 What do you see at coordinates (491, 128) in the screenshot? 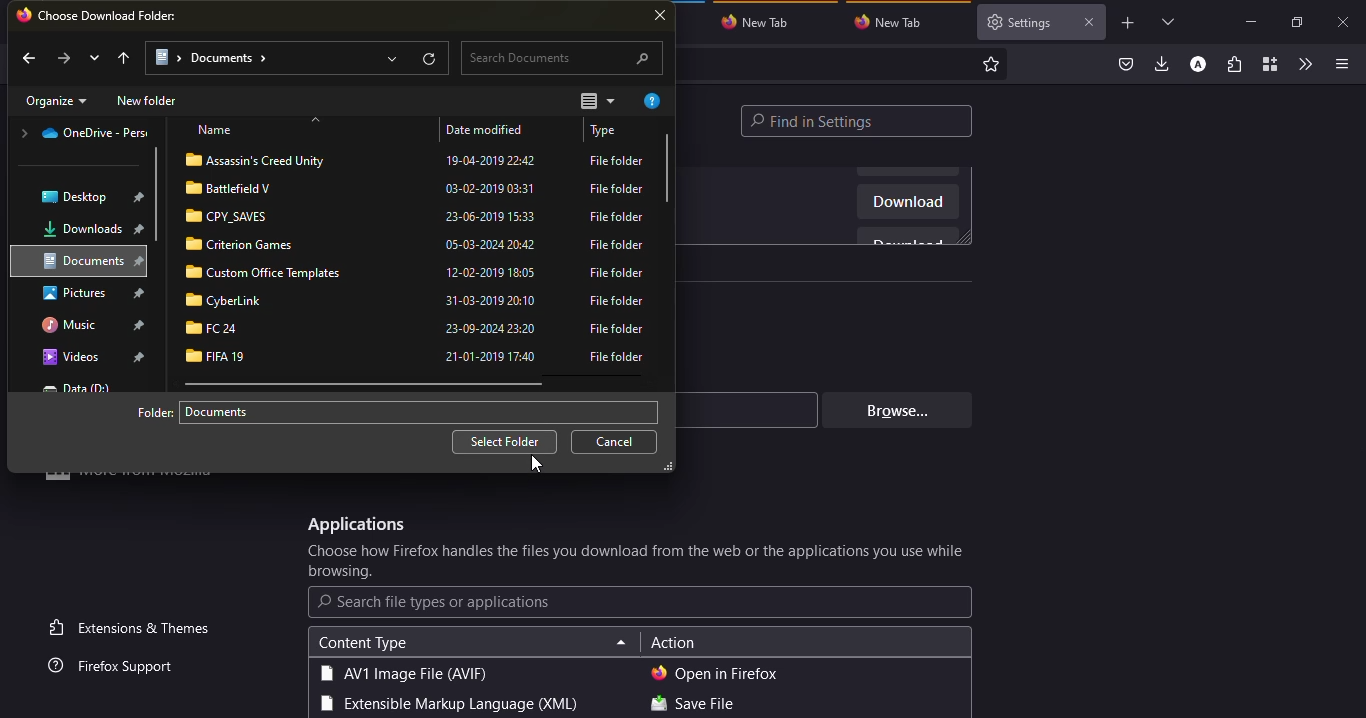
I see `date modified` at bounding box center [491, 128].